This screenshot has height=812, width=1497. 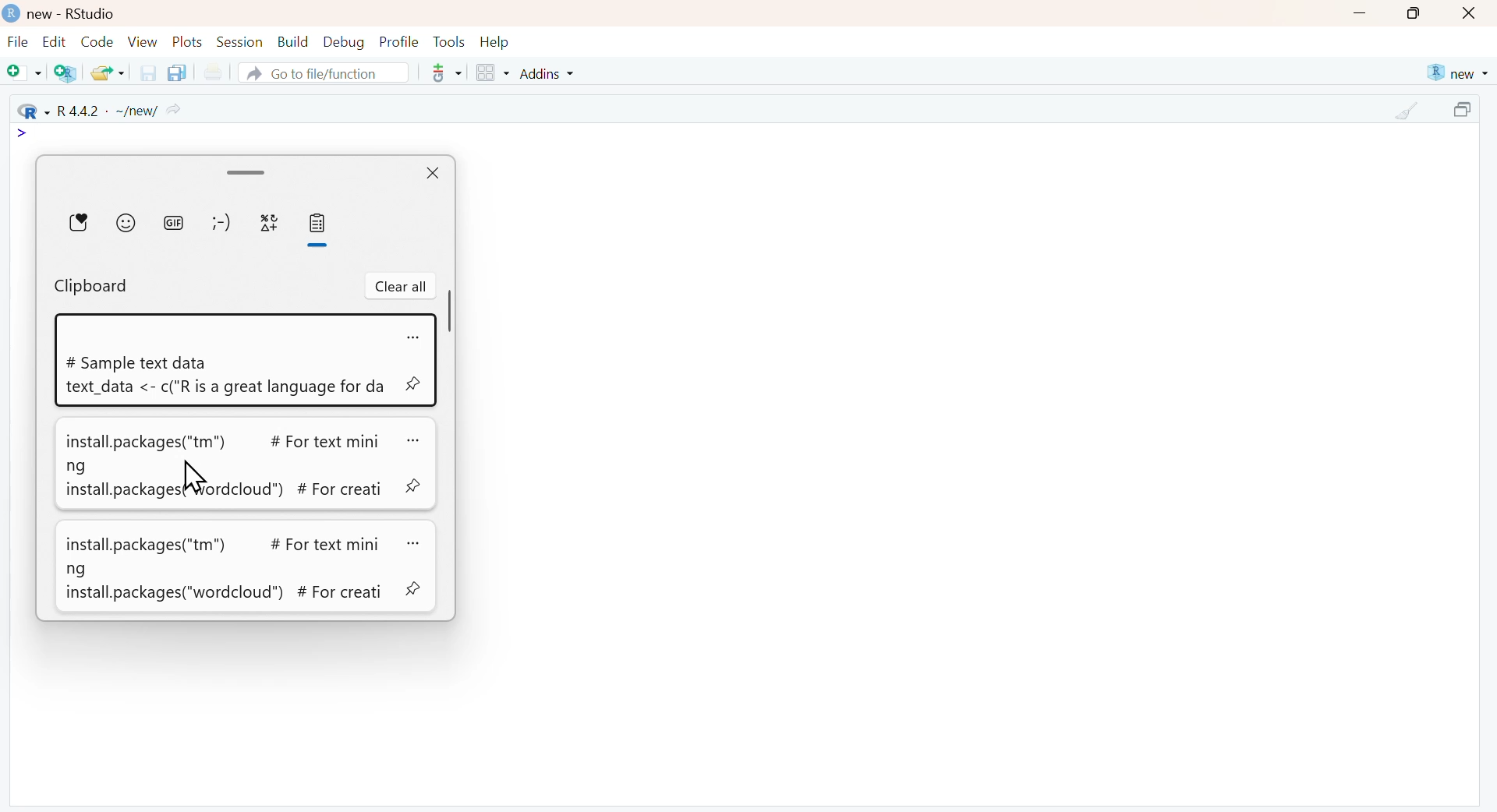 What do you see at coordinates (270, 223) in the screenshot?
I see `special characters` at bounding box center [270, 223].